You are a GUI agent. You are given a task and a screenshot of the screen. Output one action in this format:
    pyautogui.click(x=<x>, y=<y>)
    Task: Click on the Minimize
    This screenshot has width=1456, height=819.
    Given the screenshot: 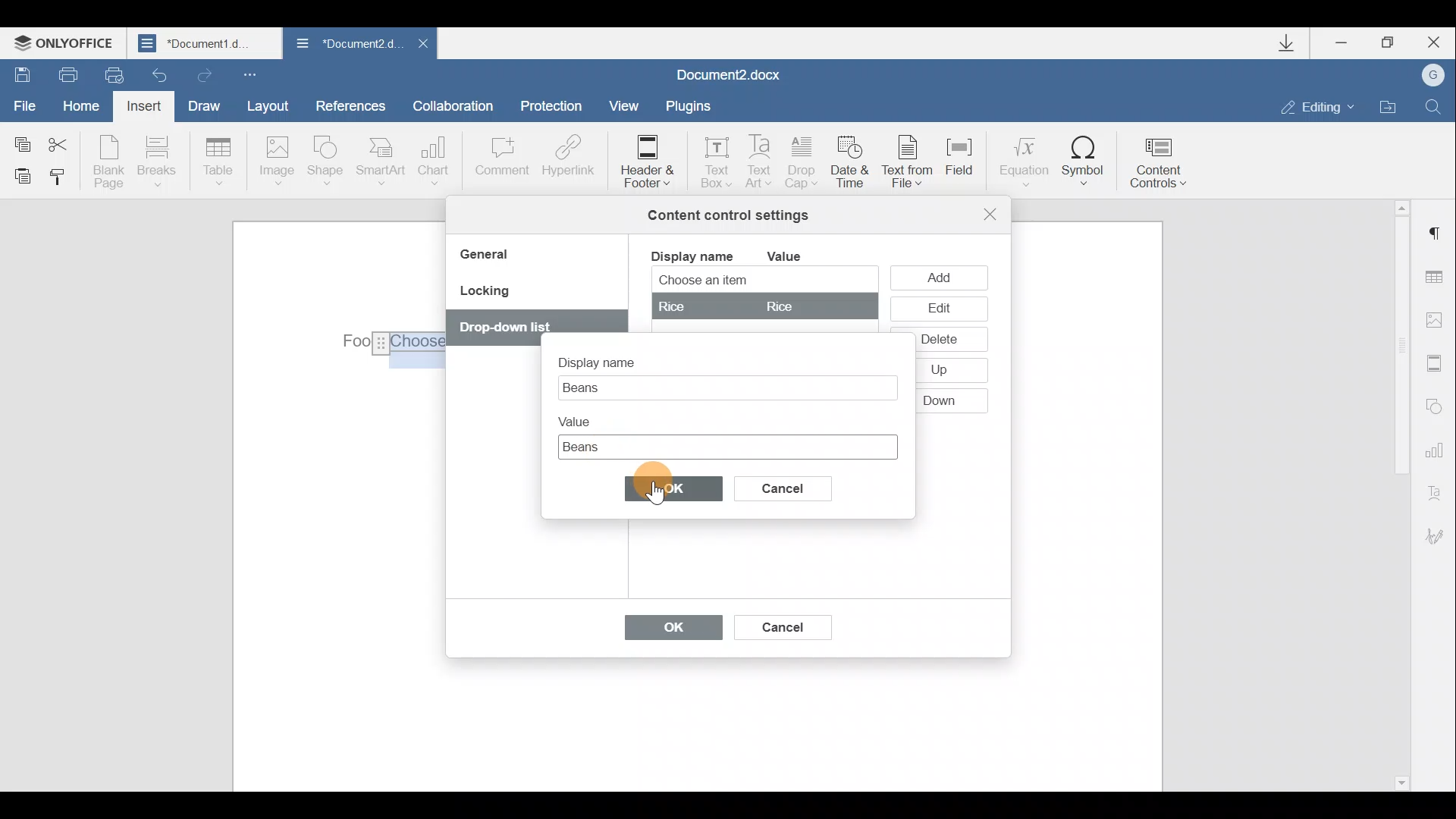 What is the action you would take?
    pyautogui.click(x=1348, y=45)
    